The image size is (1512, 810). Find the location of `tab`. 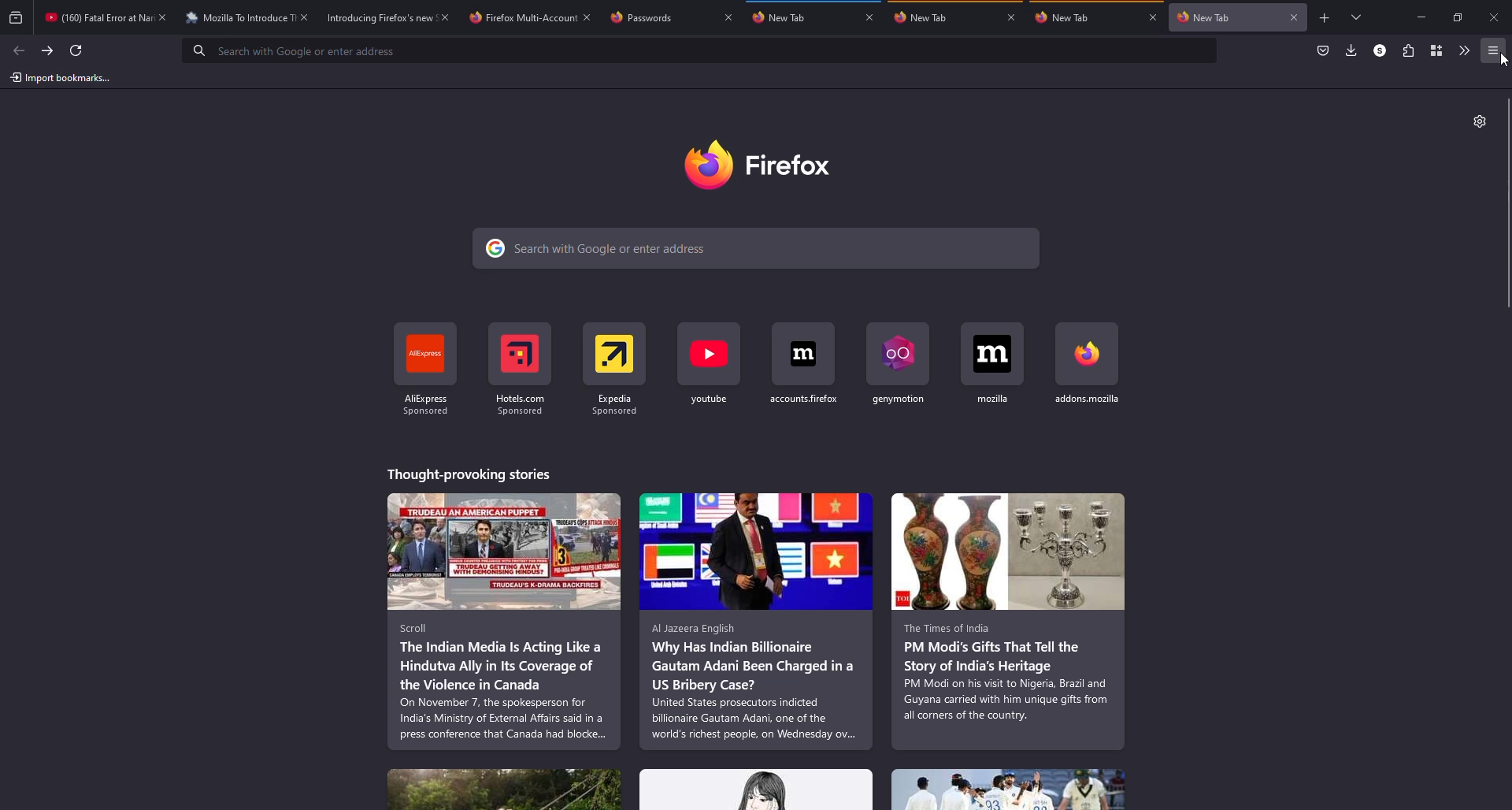

tab is located at coordinates (237, 18).